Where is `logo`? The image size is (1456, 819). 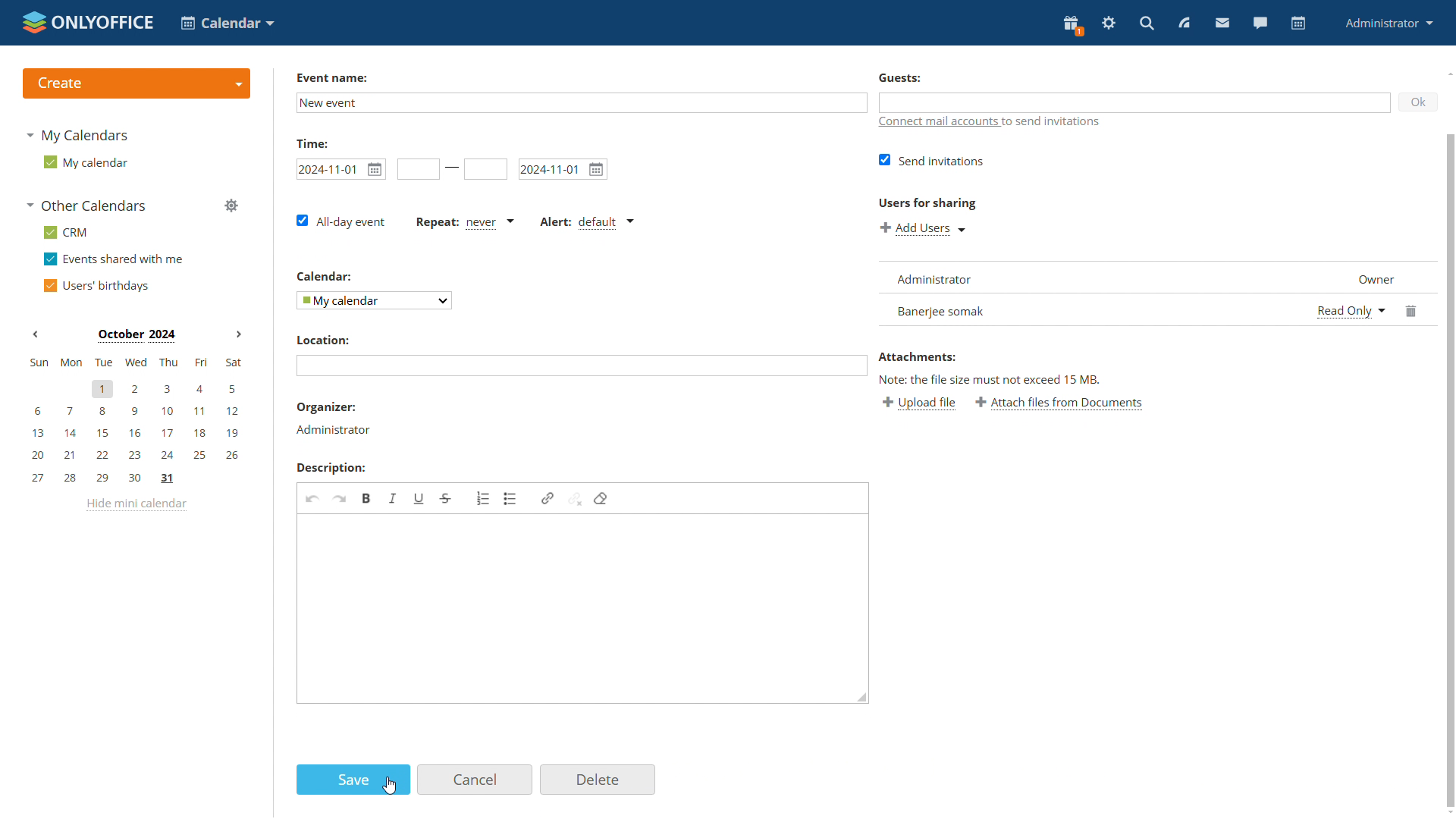
logo is located at coordinates (88, 21).